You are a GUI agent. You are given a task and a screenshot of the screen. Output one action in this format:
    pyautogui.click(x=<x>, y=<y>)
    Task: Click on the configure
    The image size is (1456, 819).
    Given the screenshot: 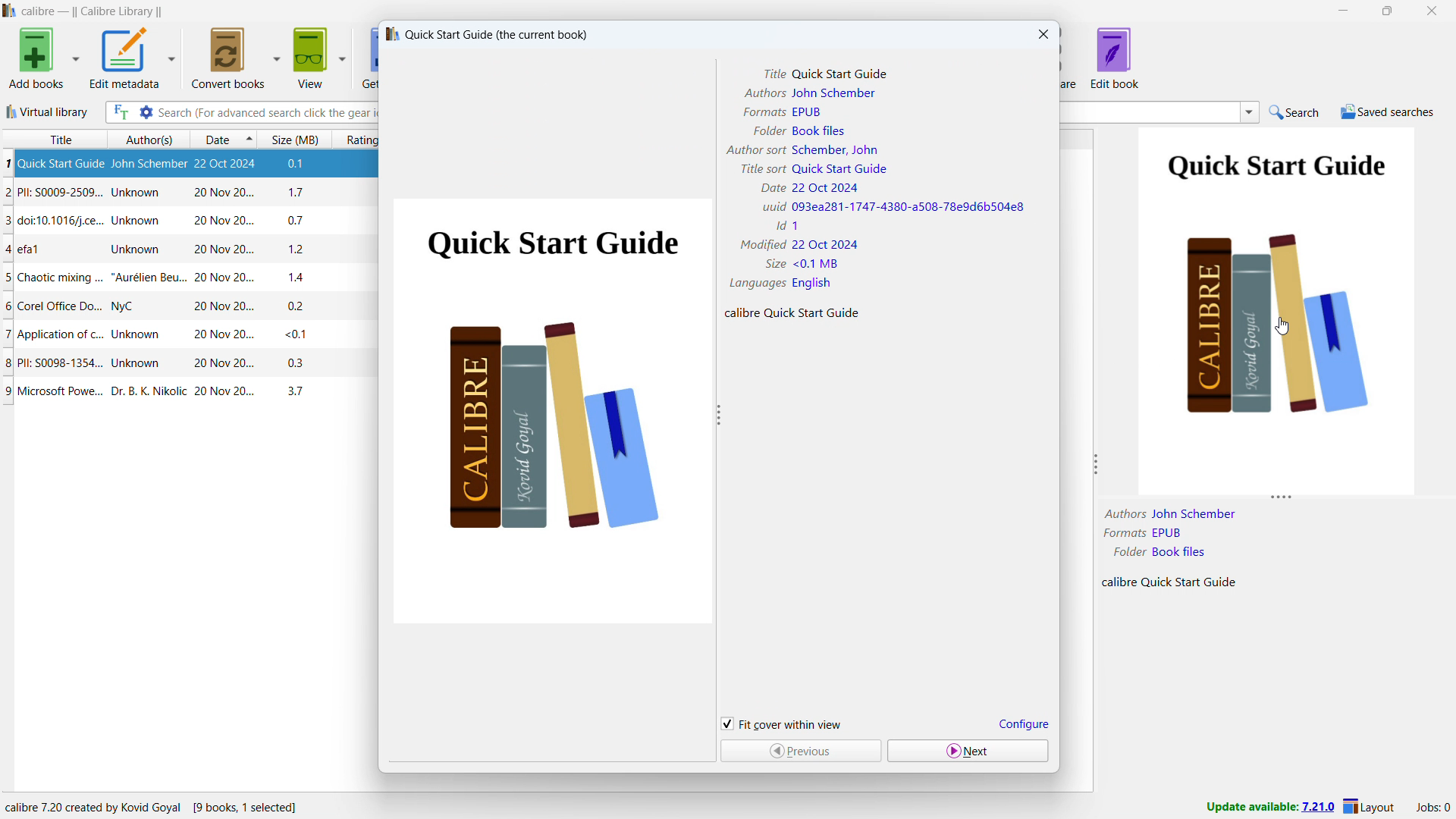 What is the action you would take?
    pyautogui.click(x=1022, y=723)
    